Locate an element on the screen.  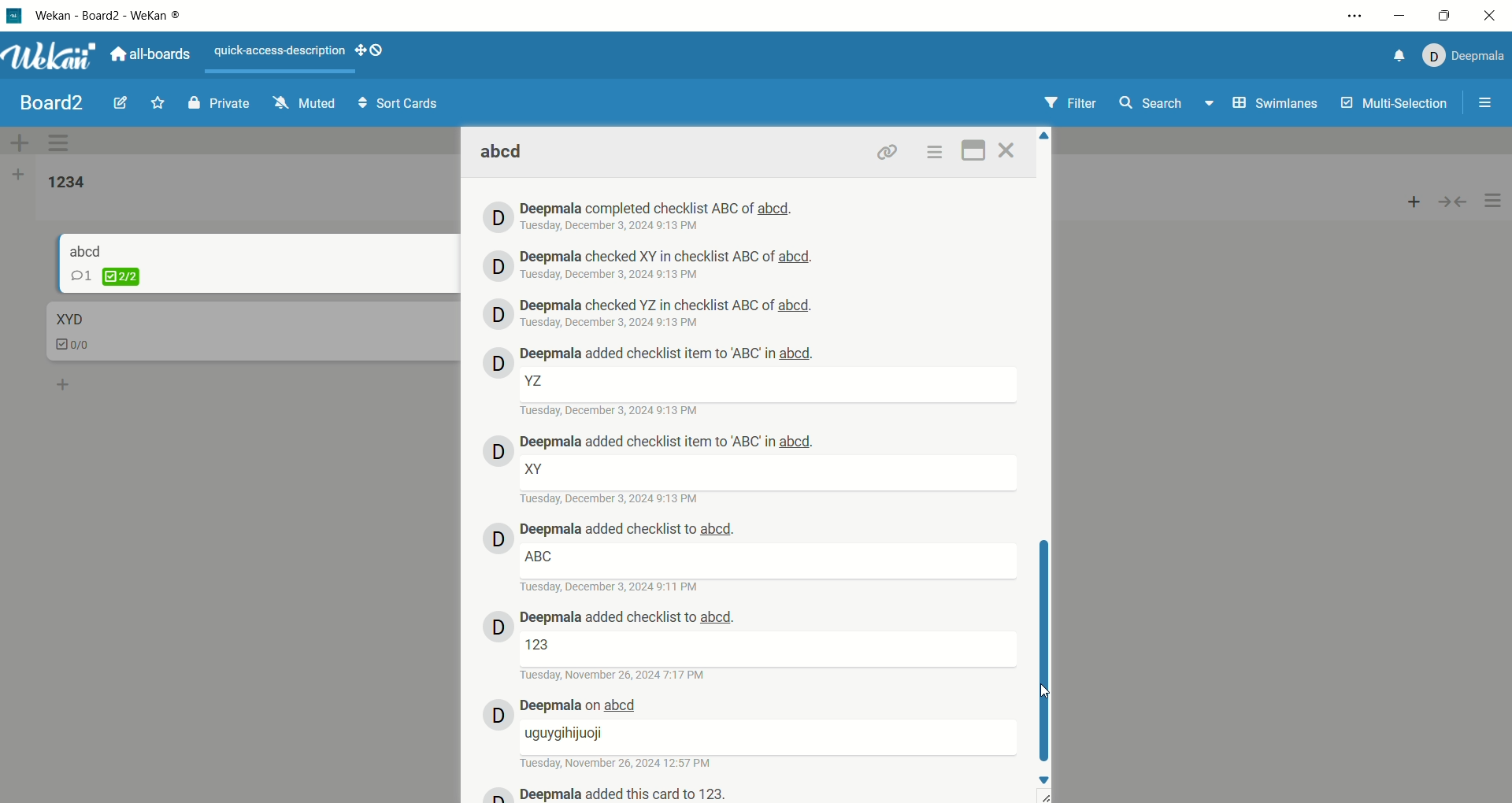
deepmala history is located at coordinates (625, 794).